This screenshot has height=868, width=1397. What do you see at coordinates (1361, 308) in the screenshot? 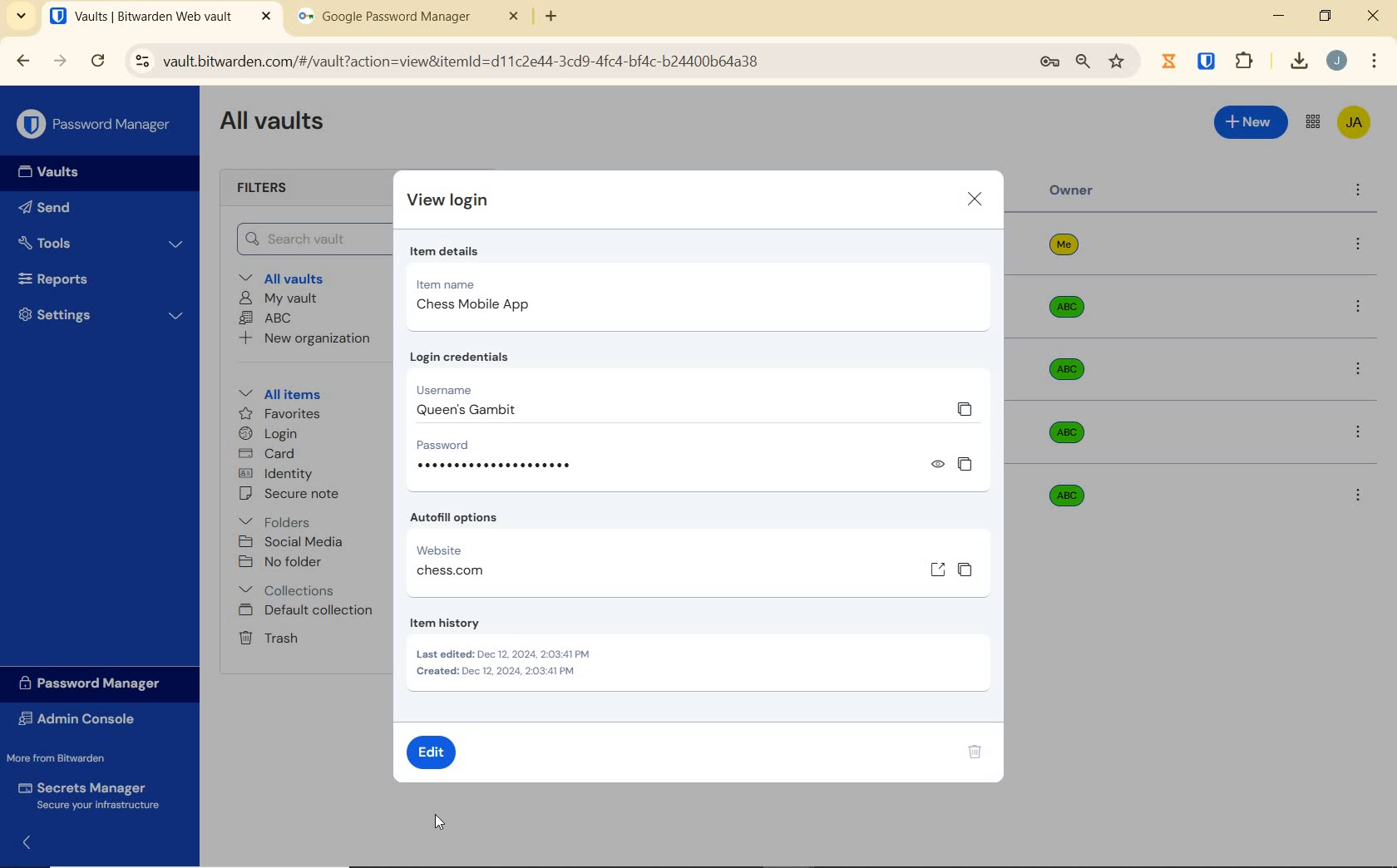
I see `option` at bounding box center [1361, 308].